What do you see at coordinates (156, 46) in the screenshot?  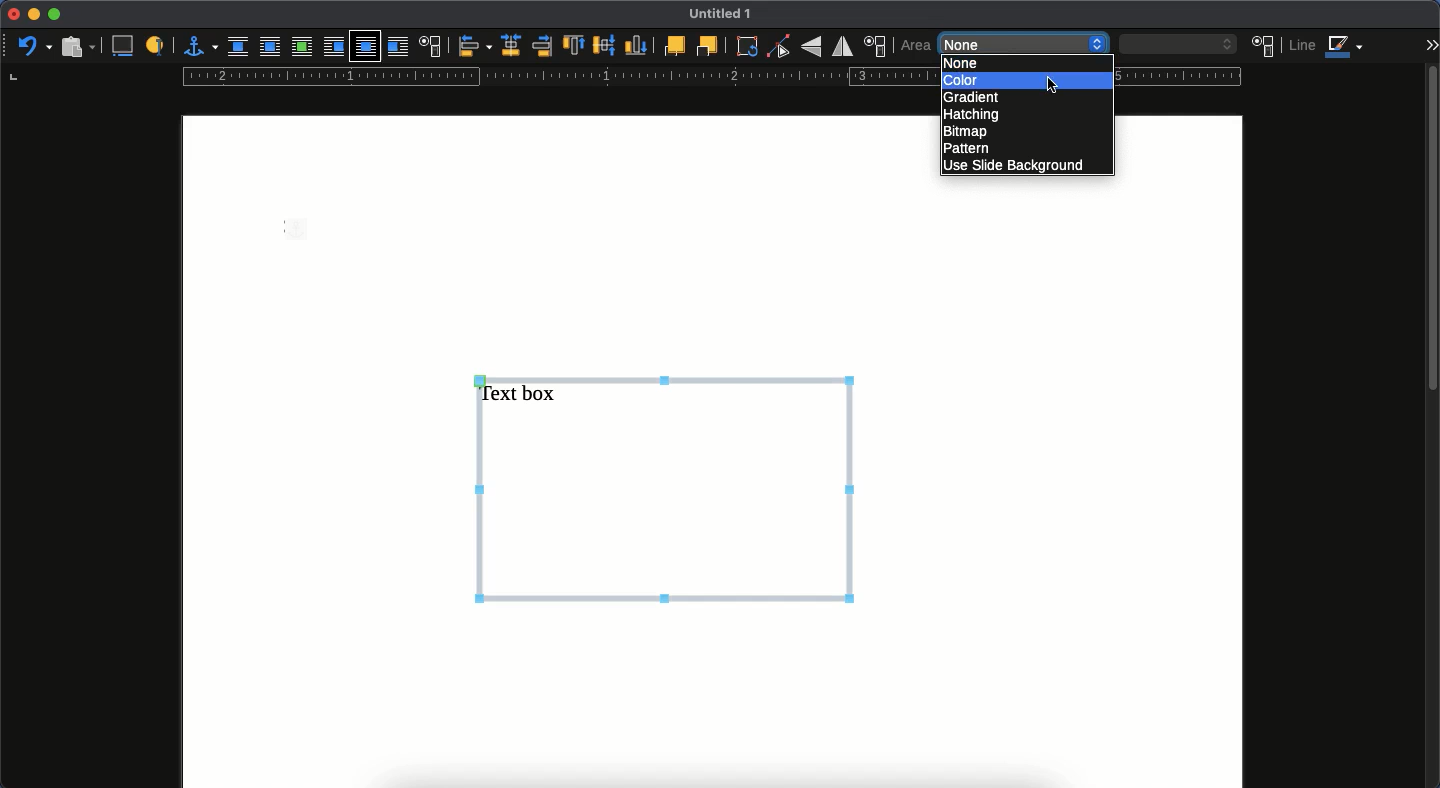 I see `a label to identify an object` at bounding box center [156, 46].